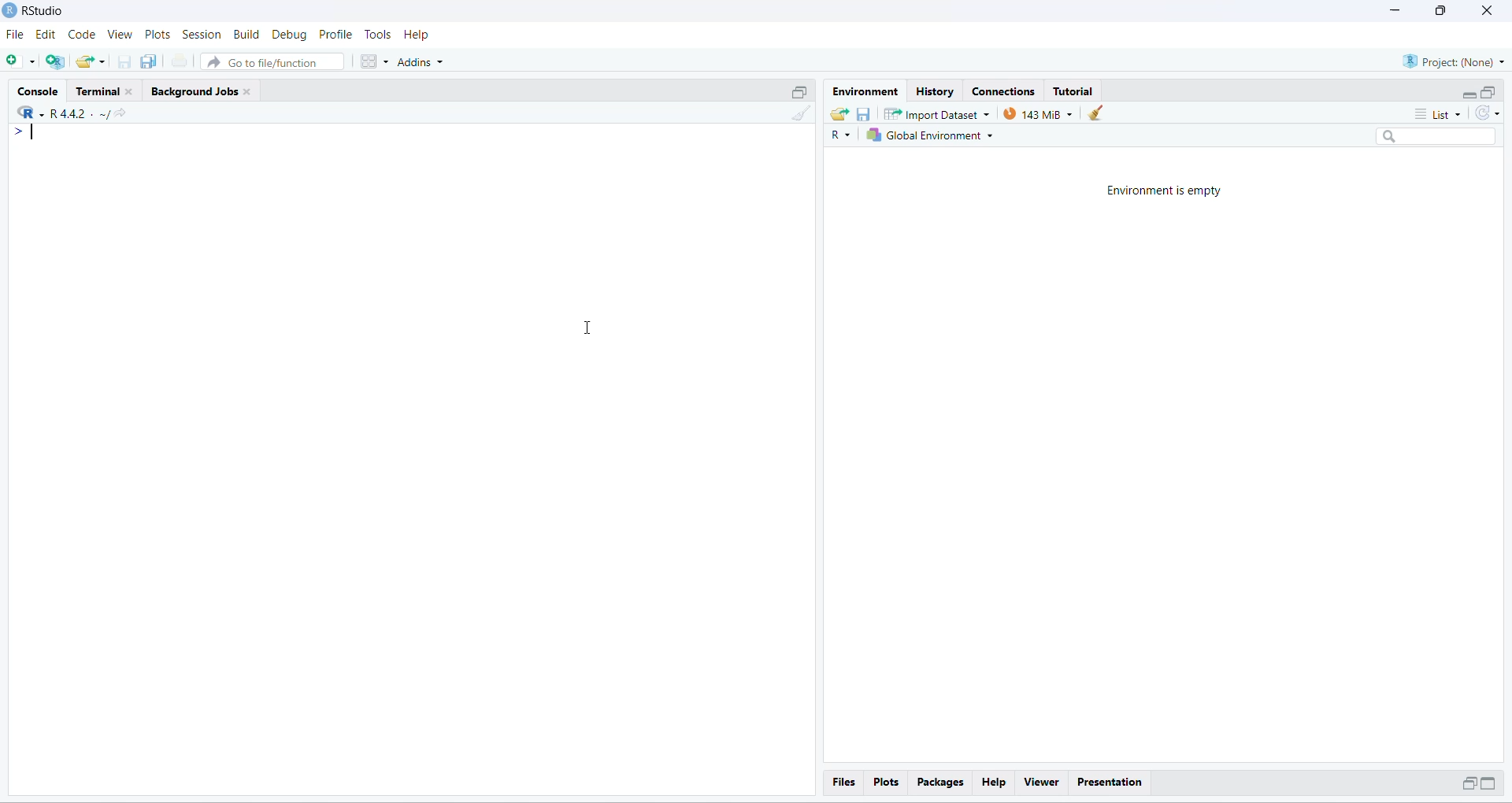 The image size is (1512, 803). I want to click on >, so click(14, 132).